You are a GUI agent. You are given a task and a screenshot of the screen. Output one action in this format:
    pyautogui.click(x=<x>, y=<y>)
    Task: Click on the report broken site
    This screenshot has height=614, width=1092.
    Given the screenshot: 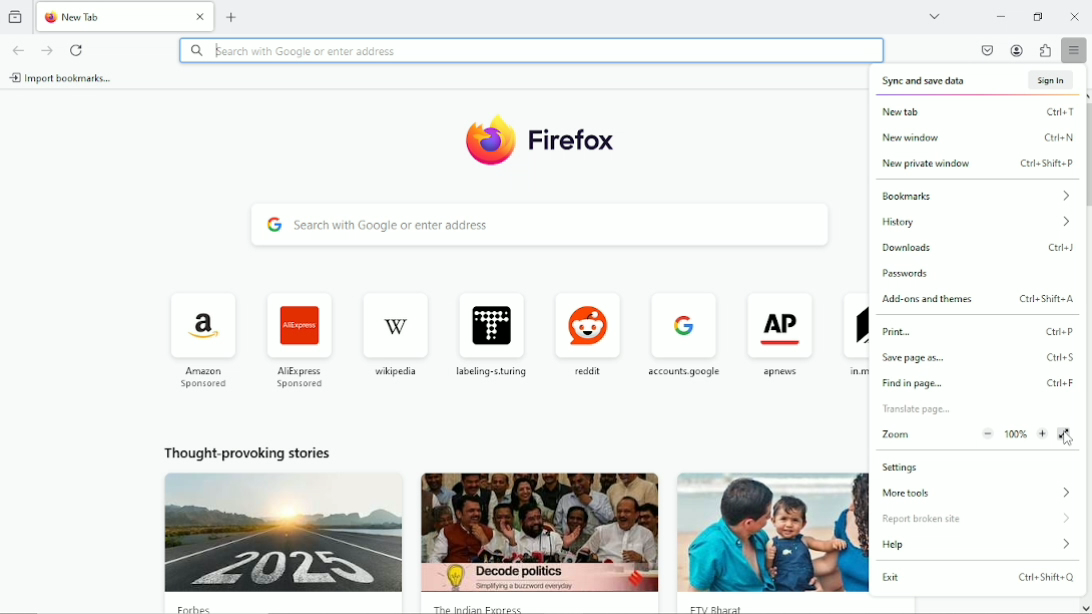 What is the action you would take?
    pyautogui.click(x=978, y=518)
    